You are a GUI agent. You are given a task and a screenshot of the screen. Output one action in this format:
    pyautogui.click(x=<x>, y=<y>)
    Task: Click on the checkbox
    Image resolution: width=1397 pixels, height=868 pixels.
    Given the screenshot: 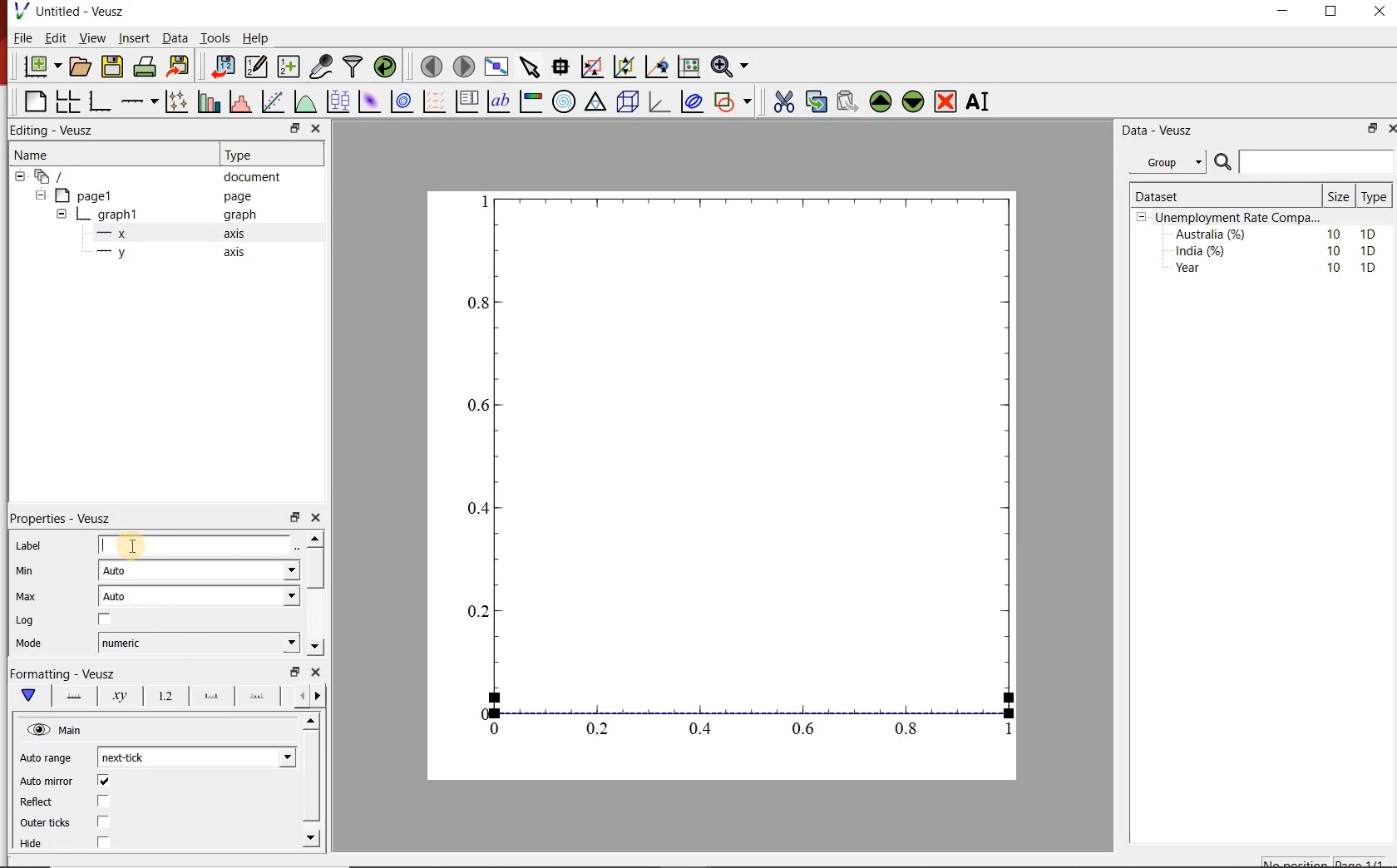 What is the action you would take?
    pyautogui.click(x=106, y=619)
    